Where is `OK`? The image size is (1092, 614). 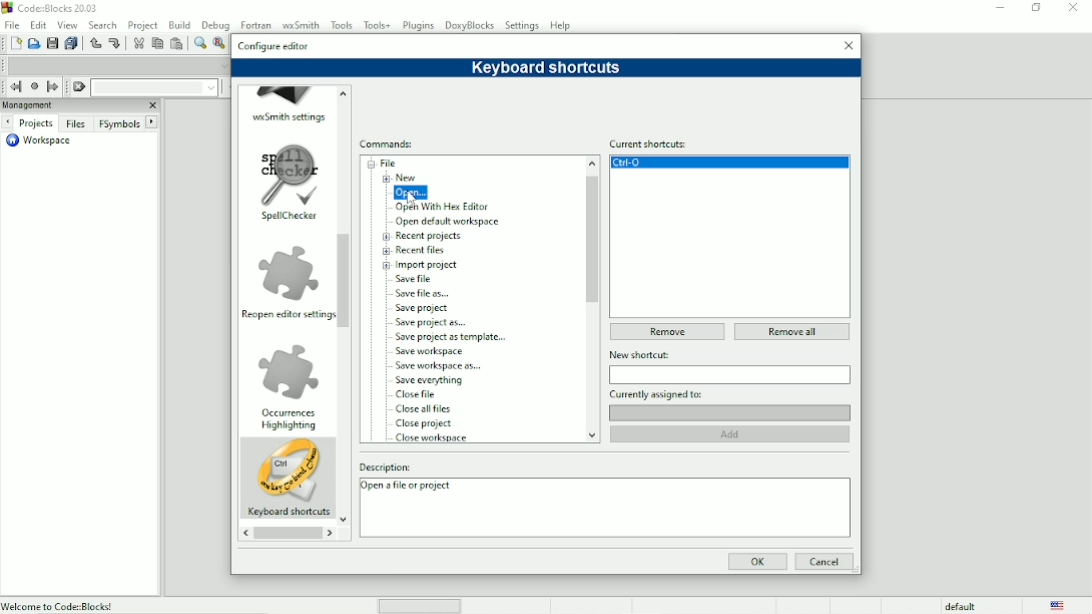 OK is located at coordinates (757, 562).